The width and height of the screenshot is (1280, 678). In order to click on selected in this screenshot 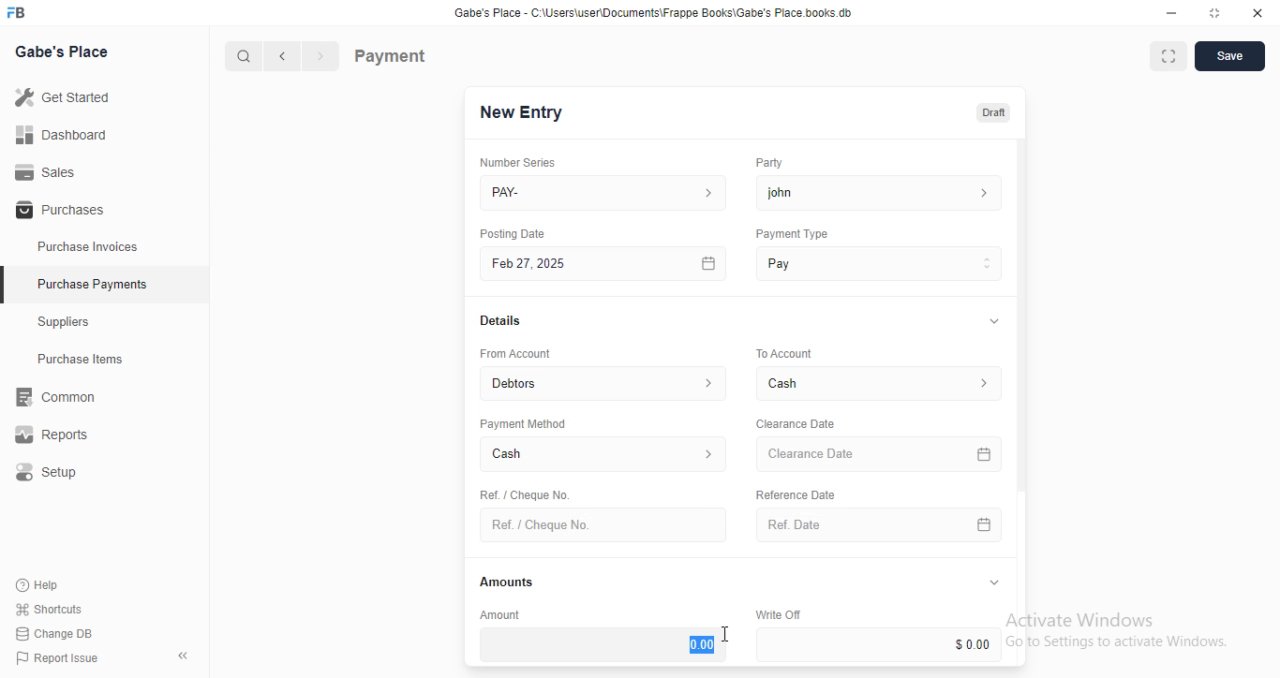, I will do `click(8, 287)`.